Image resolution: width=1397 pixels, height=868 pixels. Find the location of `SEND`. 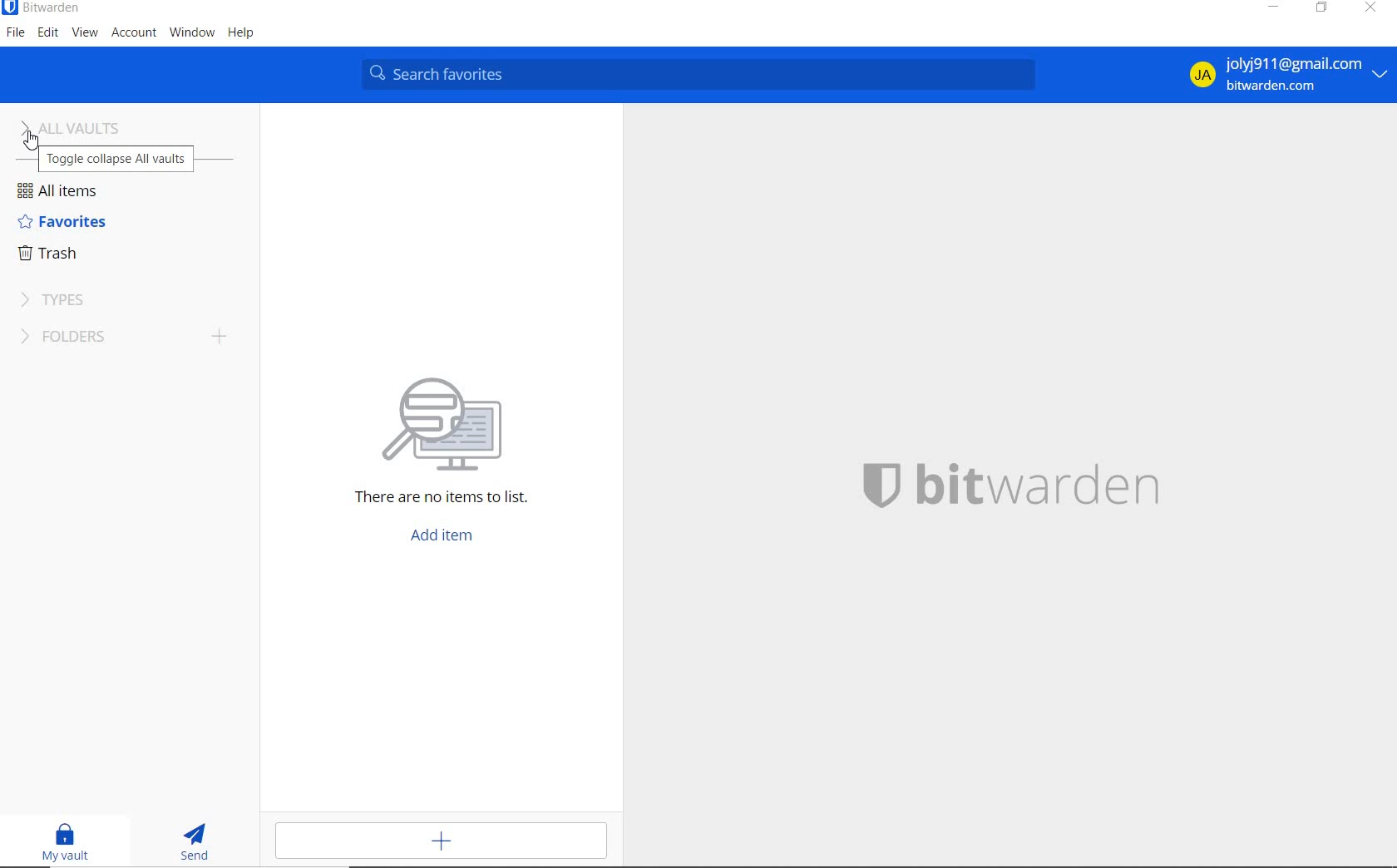

SEND is located at coordinates (200, 844).